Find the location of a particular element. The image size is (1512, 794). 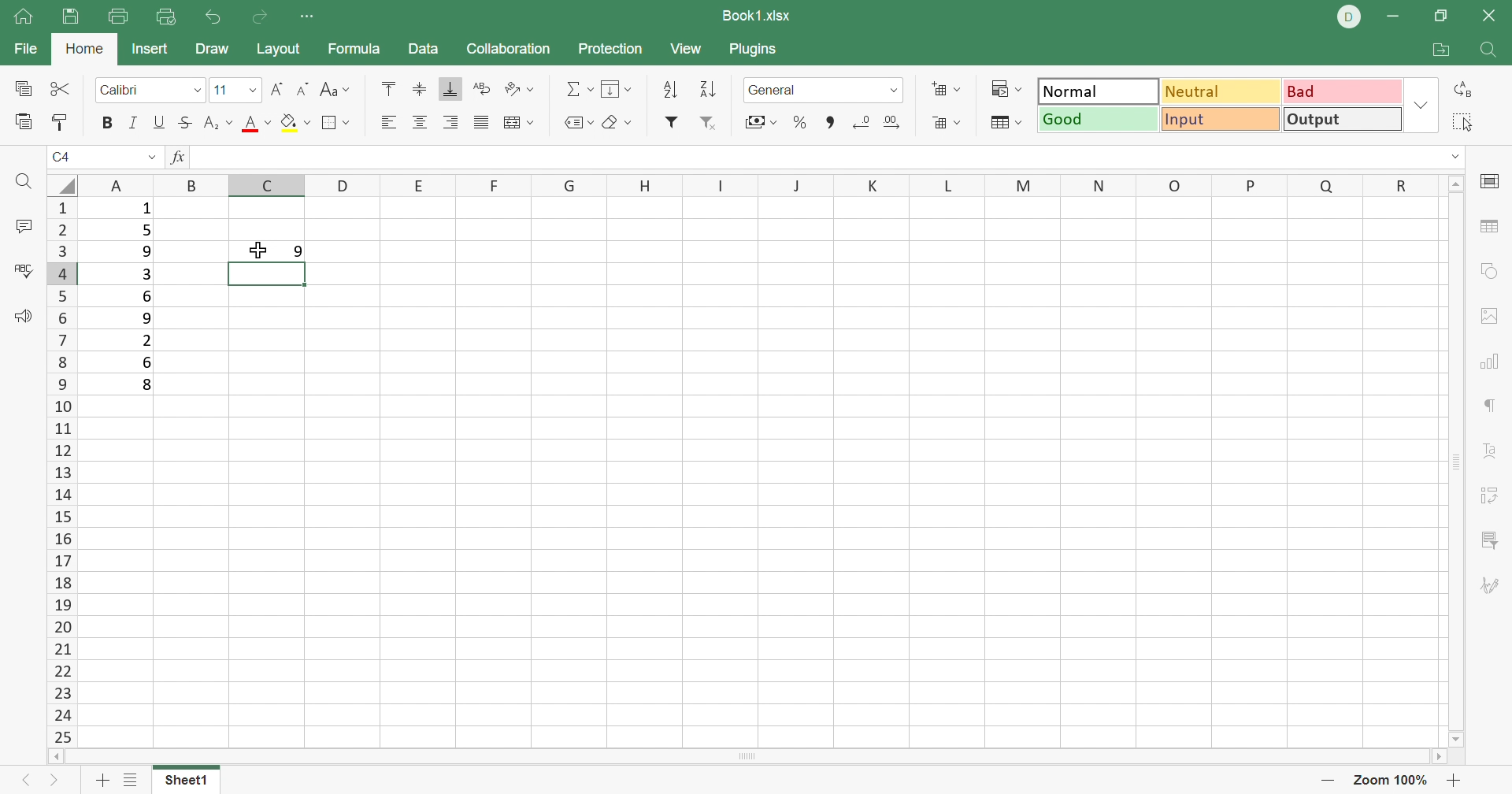

9 is located at coordinates (150, 317).